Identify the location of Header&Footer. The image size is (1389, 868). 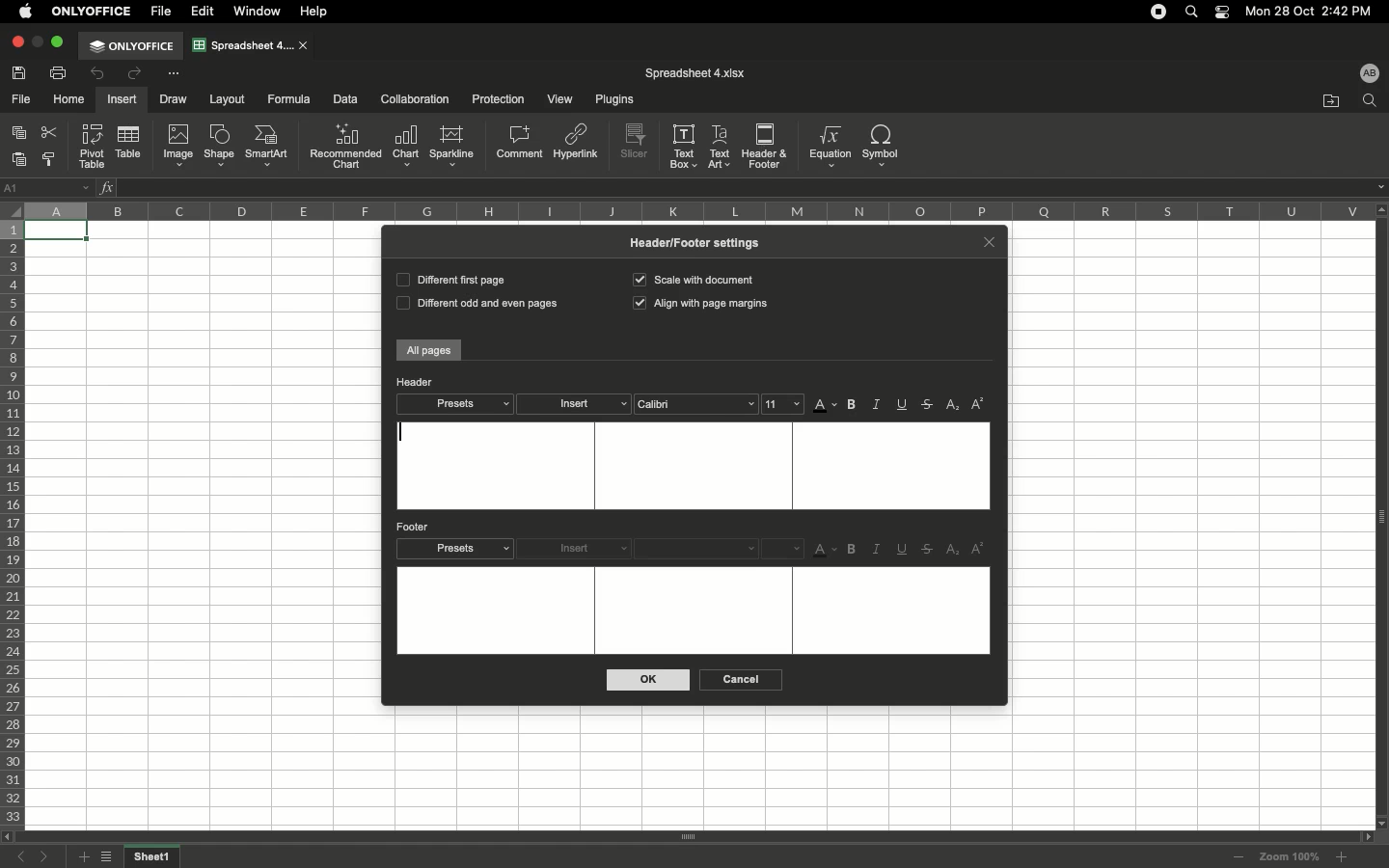
(765, 145).